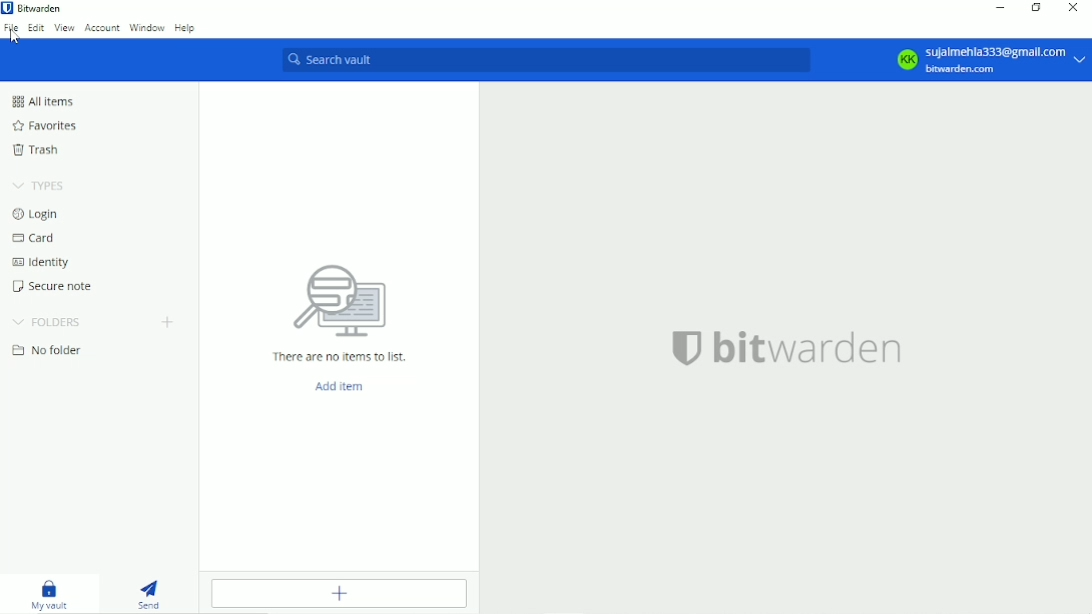 This screenshot has height=614, width=1092. I want to click on Create folder, so click(169, 322).